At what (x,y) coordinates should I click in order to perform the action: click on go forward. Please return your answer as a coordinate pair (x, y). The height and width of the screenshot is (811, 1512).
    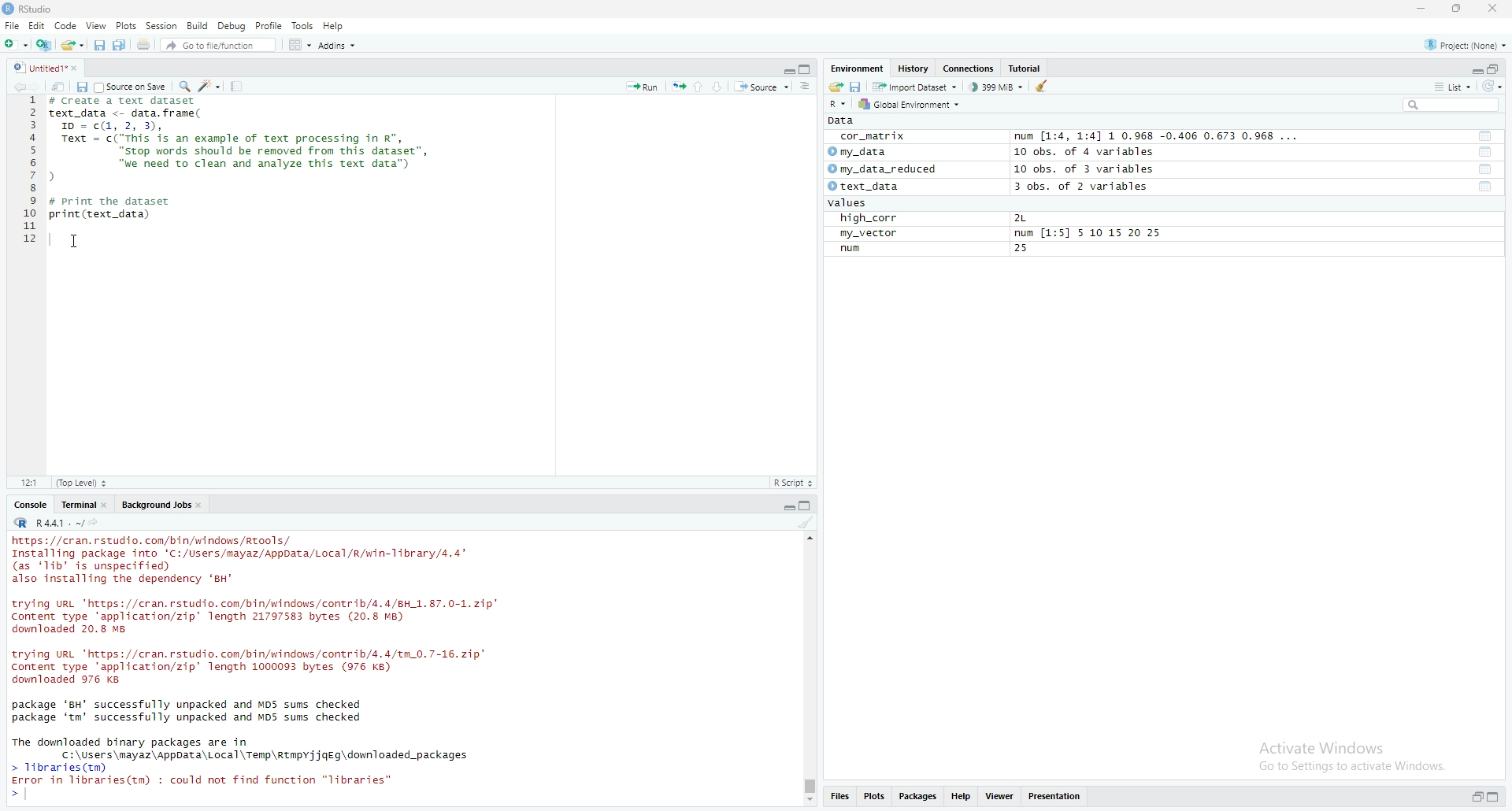
    Looking at the image, I should click on (39, 87).